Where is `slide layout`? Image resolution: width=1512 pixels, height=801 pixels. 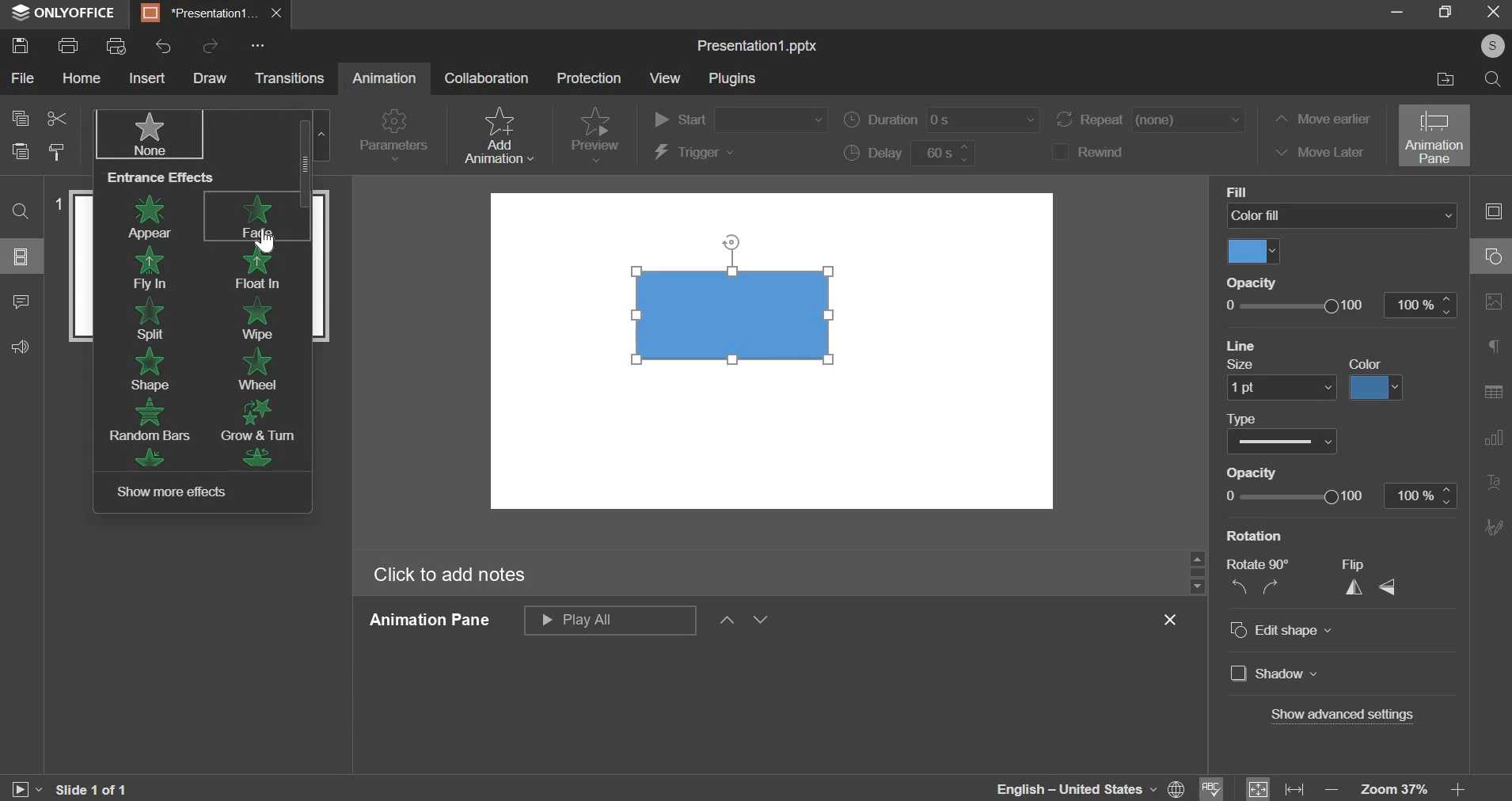
slide layout is located at coordinates (1493, 257).